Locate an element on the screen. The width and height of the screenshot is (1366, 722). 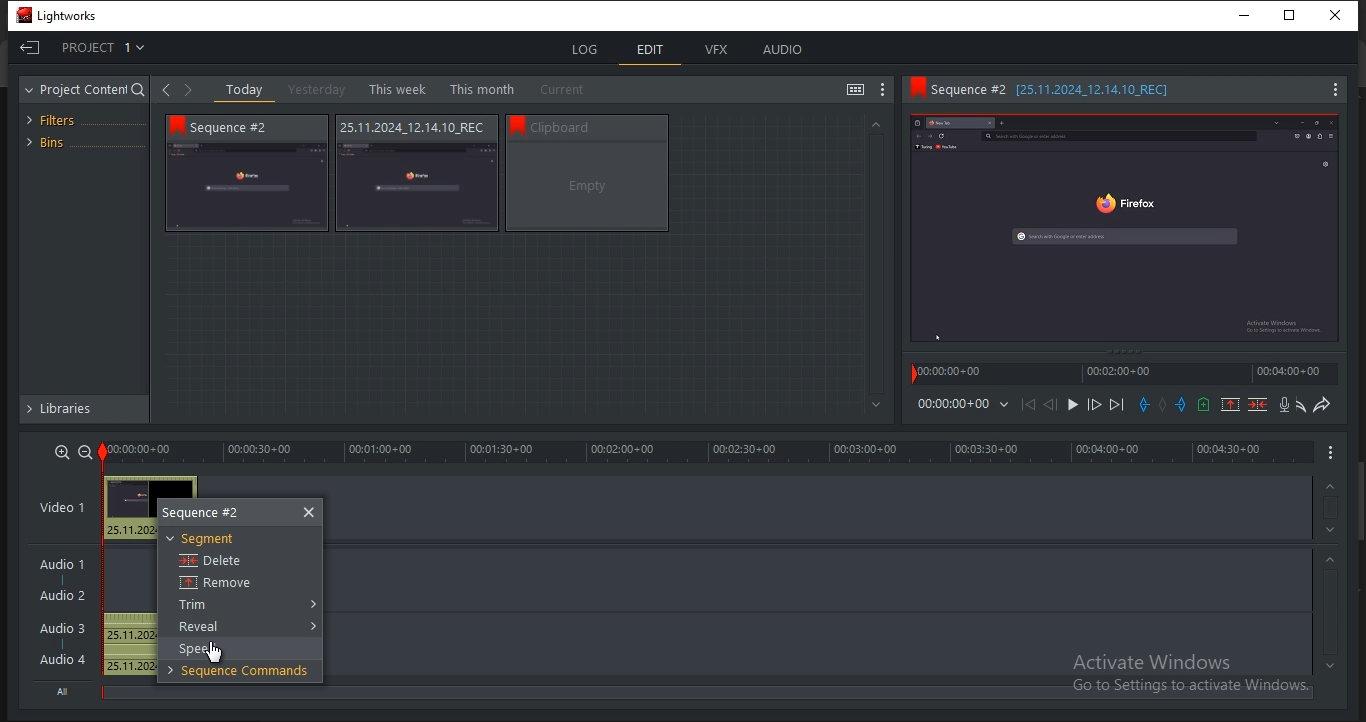
time stamp is located at coordinates (1291, 374).